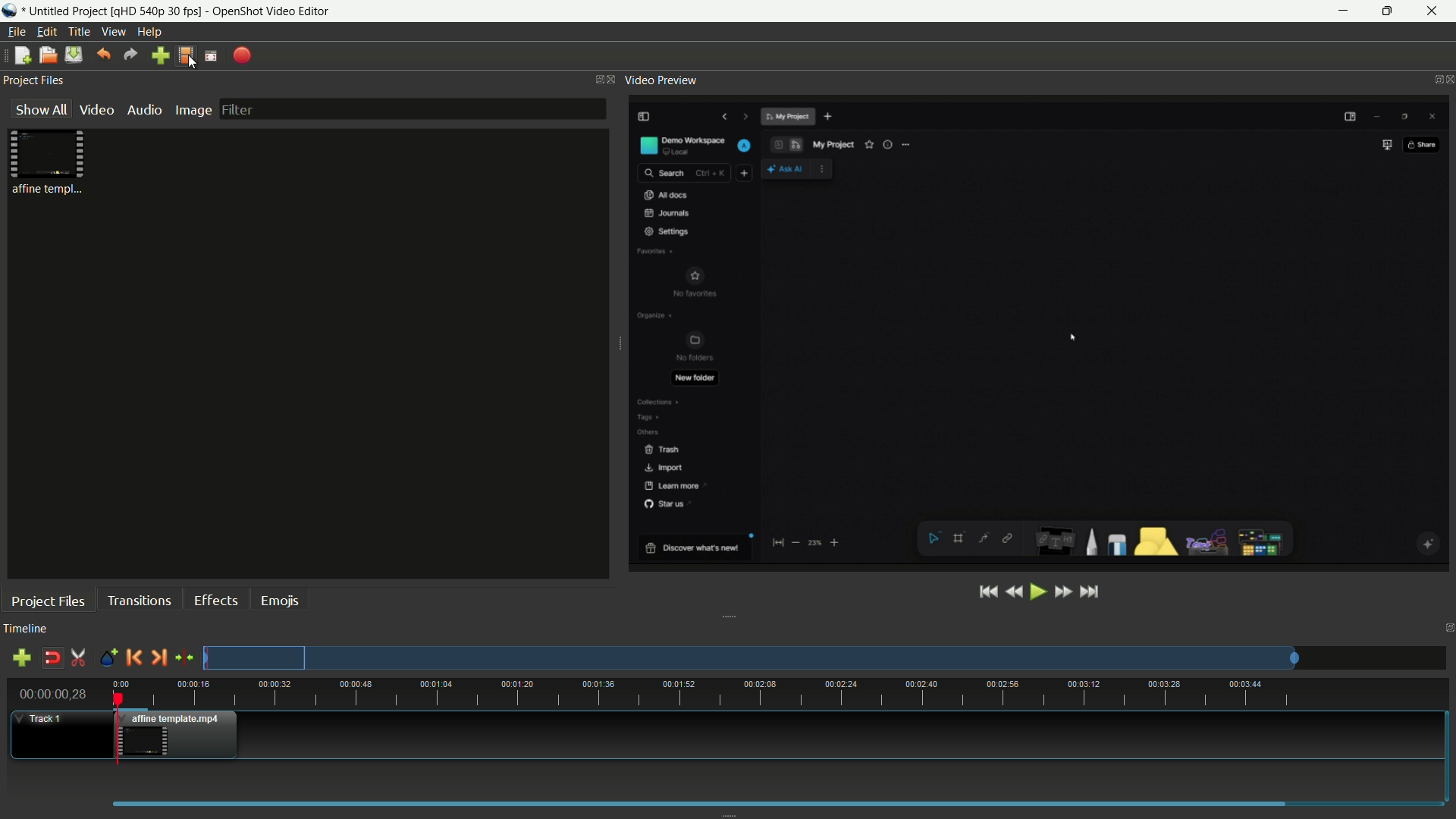  I want to click on filter bar, so click(412, 108).